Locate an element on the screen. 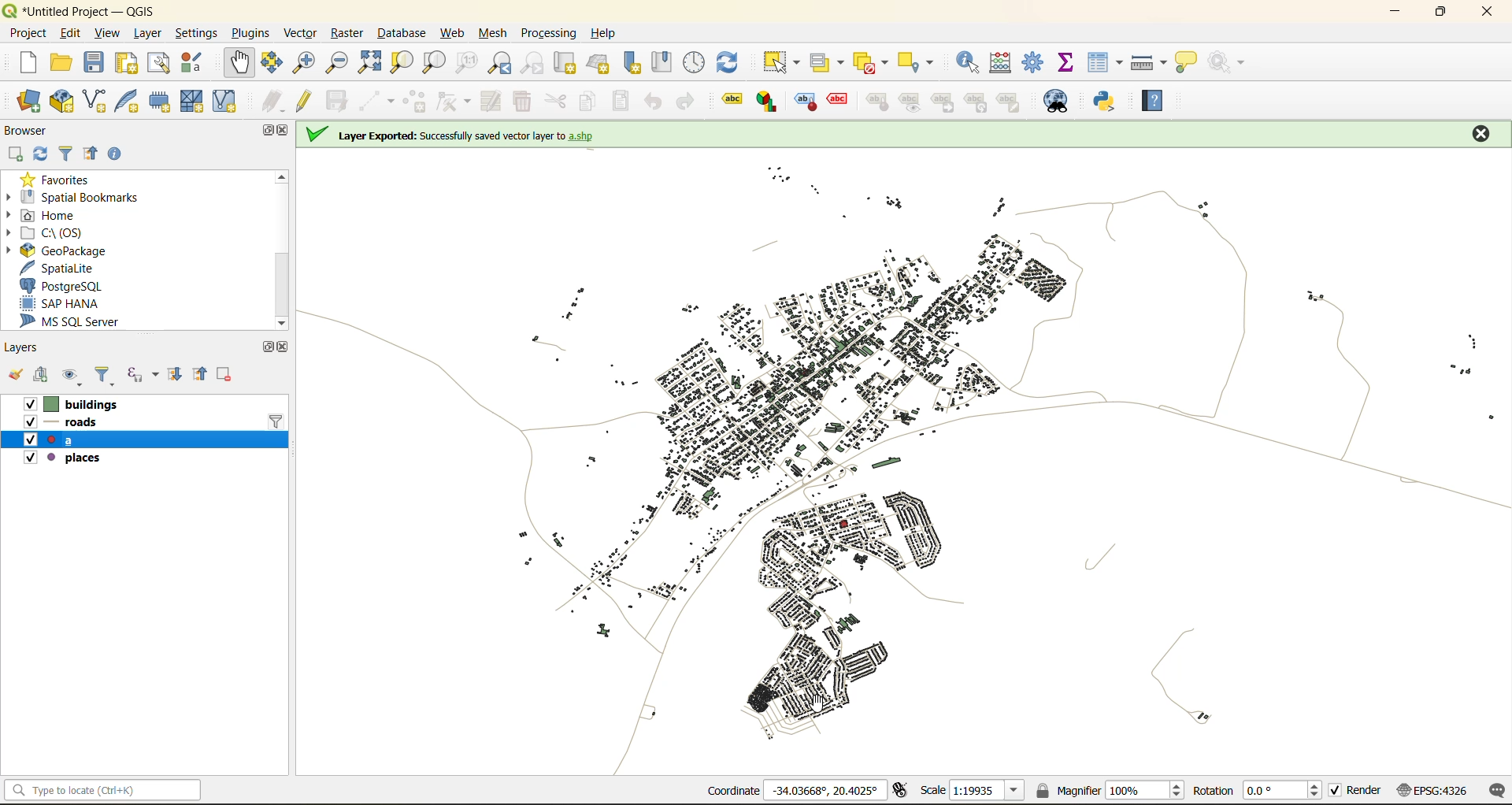 The height and width of the screenshot is (805, 1512). new is located at coordinates (29, 63).